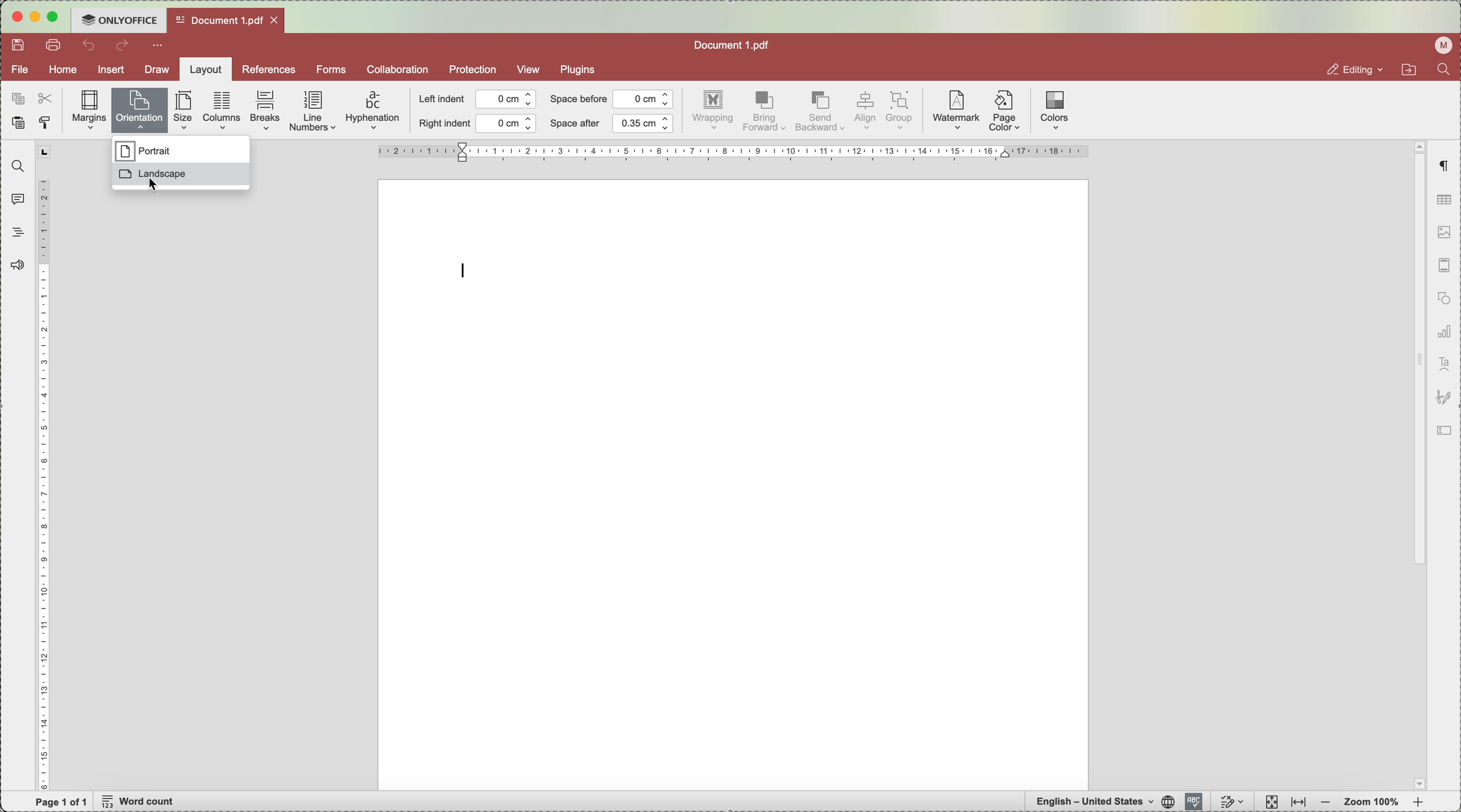  I want to click on send backward, so click(820, 113).